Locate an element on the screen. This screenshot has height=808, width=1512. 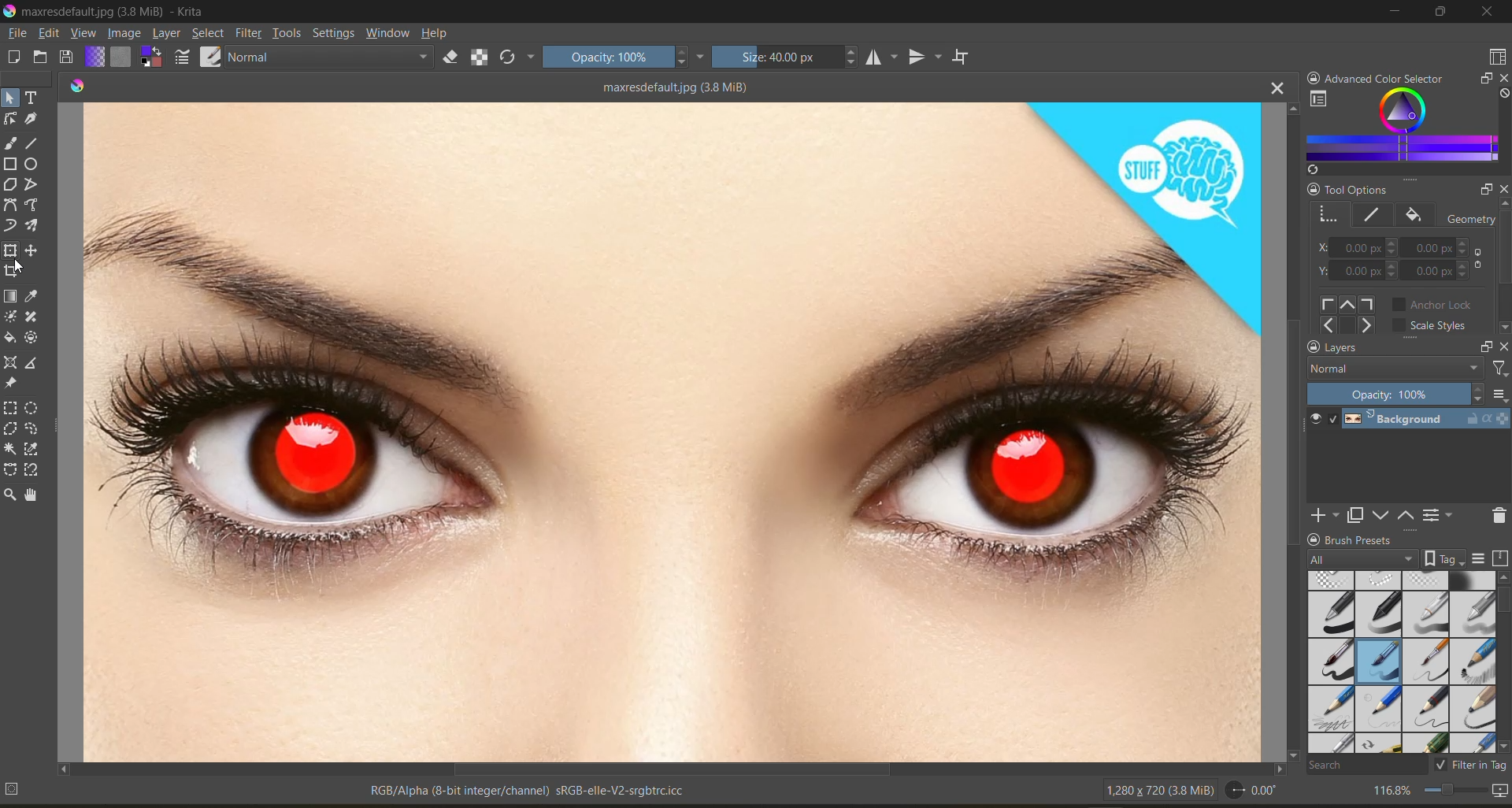
choose brush preset is located at coordinates (213, 55).